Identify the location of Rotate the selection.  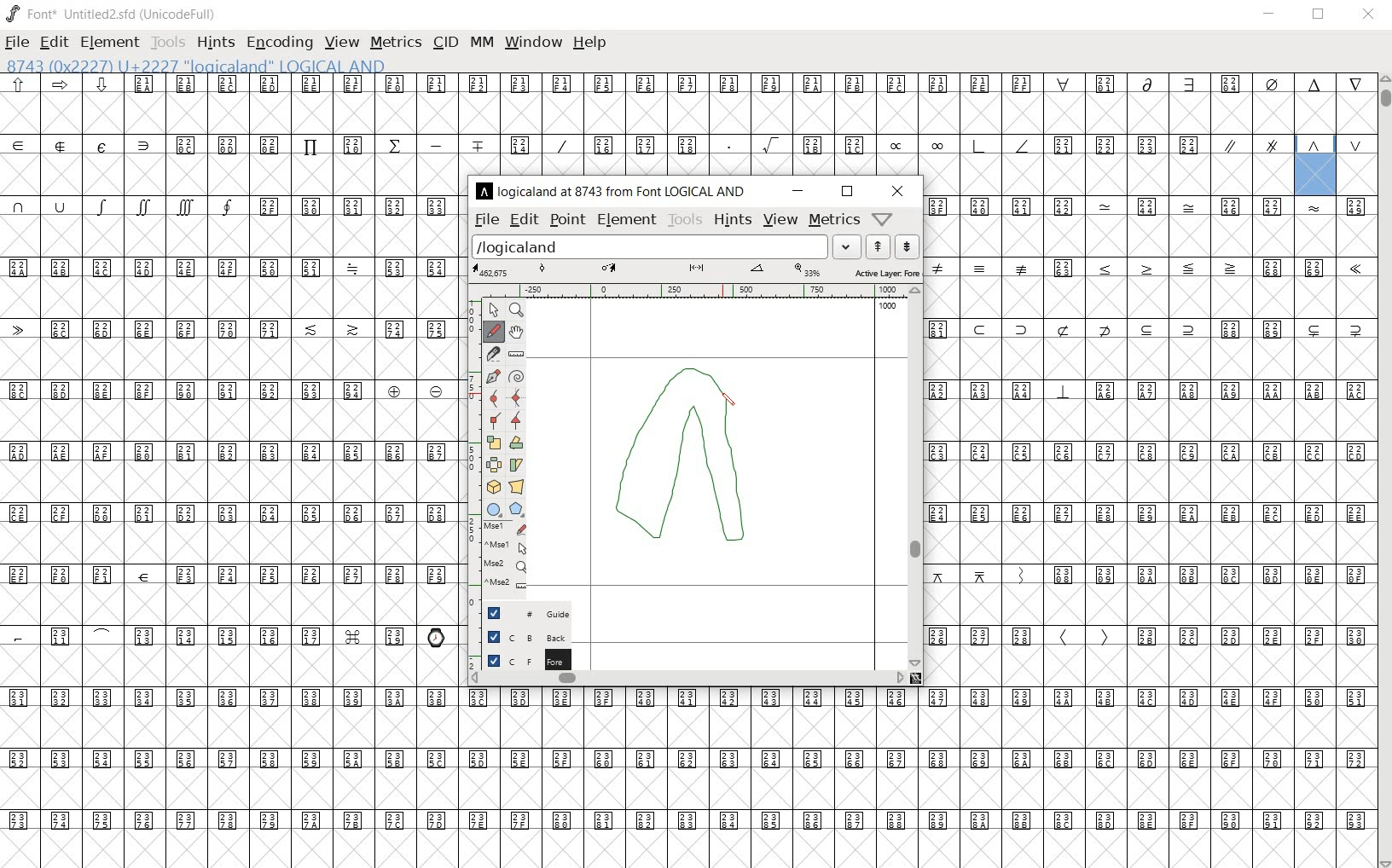
(516, 465).